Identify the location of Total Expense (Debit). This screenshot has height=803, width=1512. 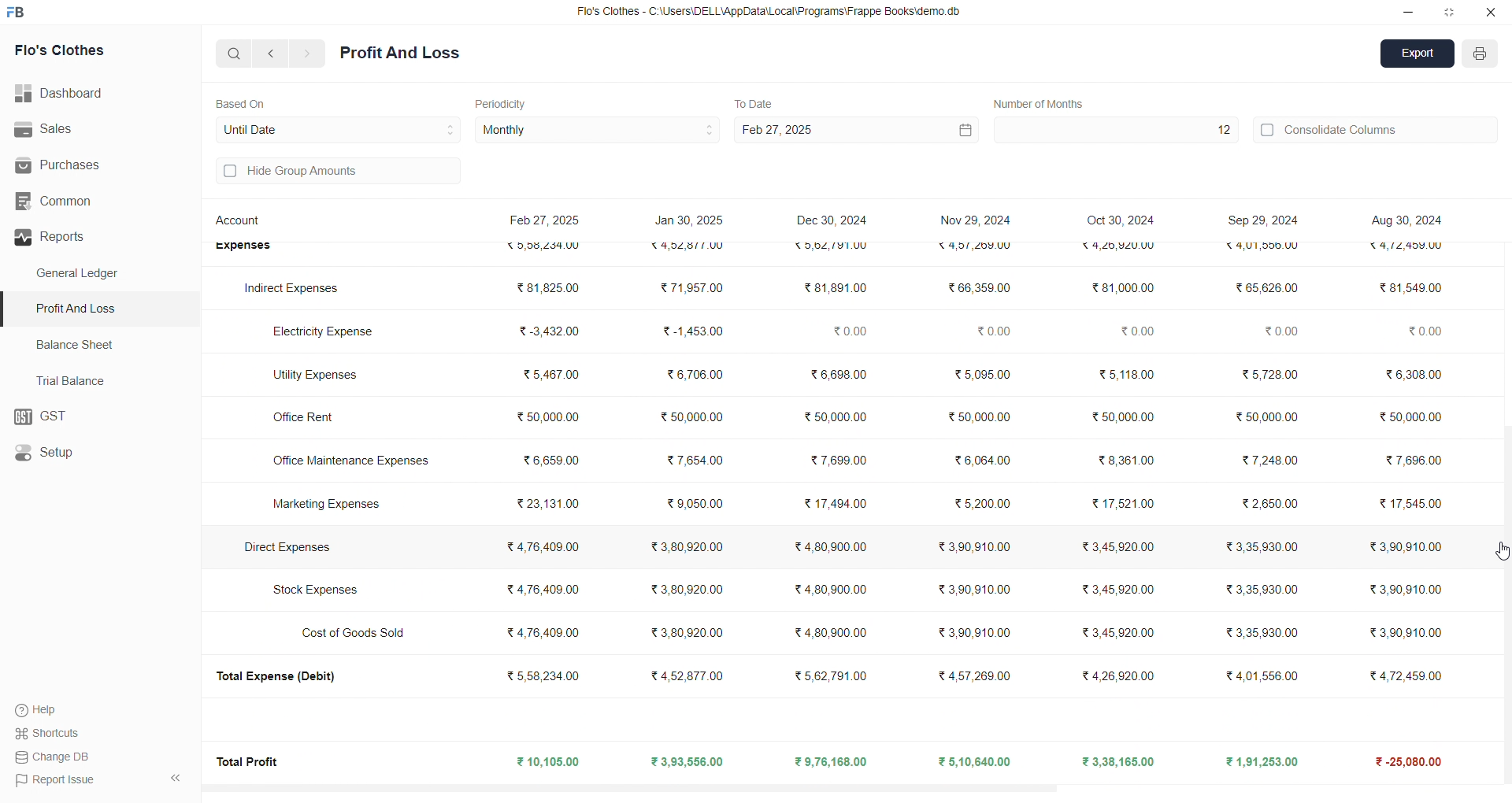
(284, 677).